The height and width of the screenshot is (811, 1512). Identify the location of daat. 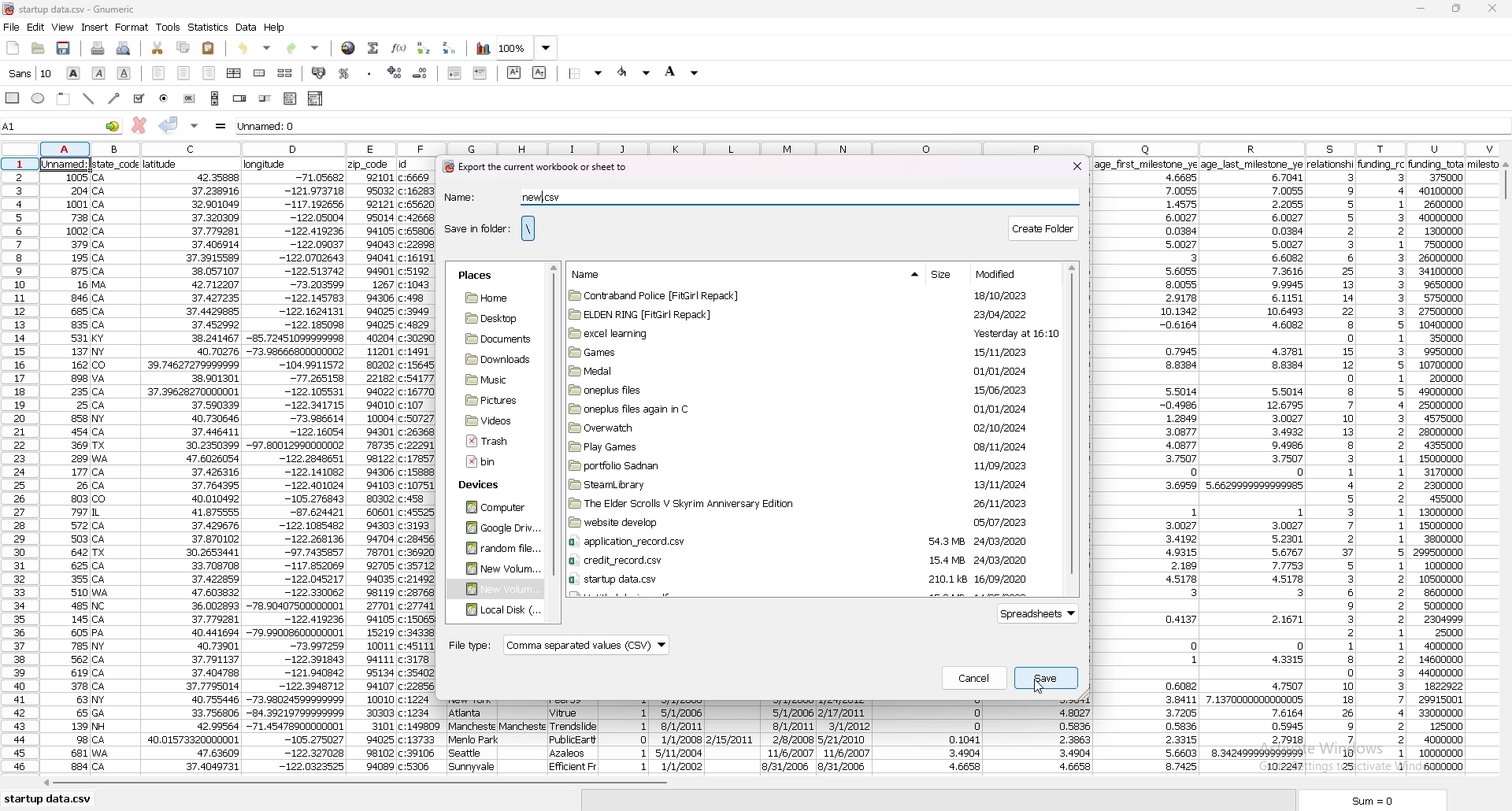
(1450, 465).